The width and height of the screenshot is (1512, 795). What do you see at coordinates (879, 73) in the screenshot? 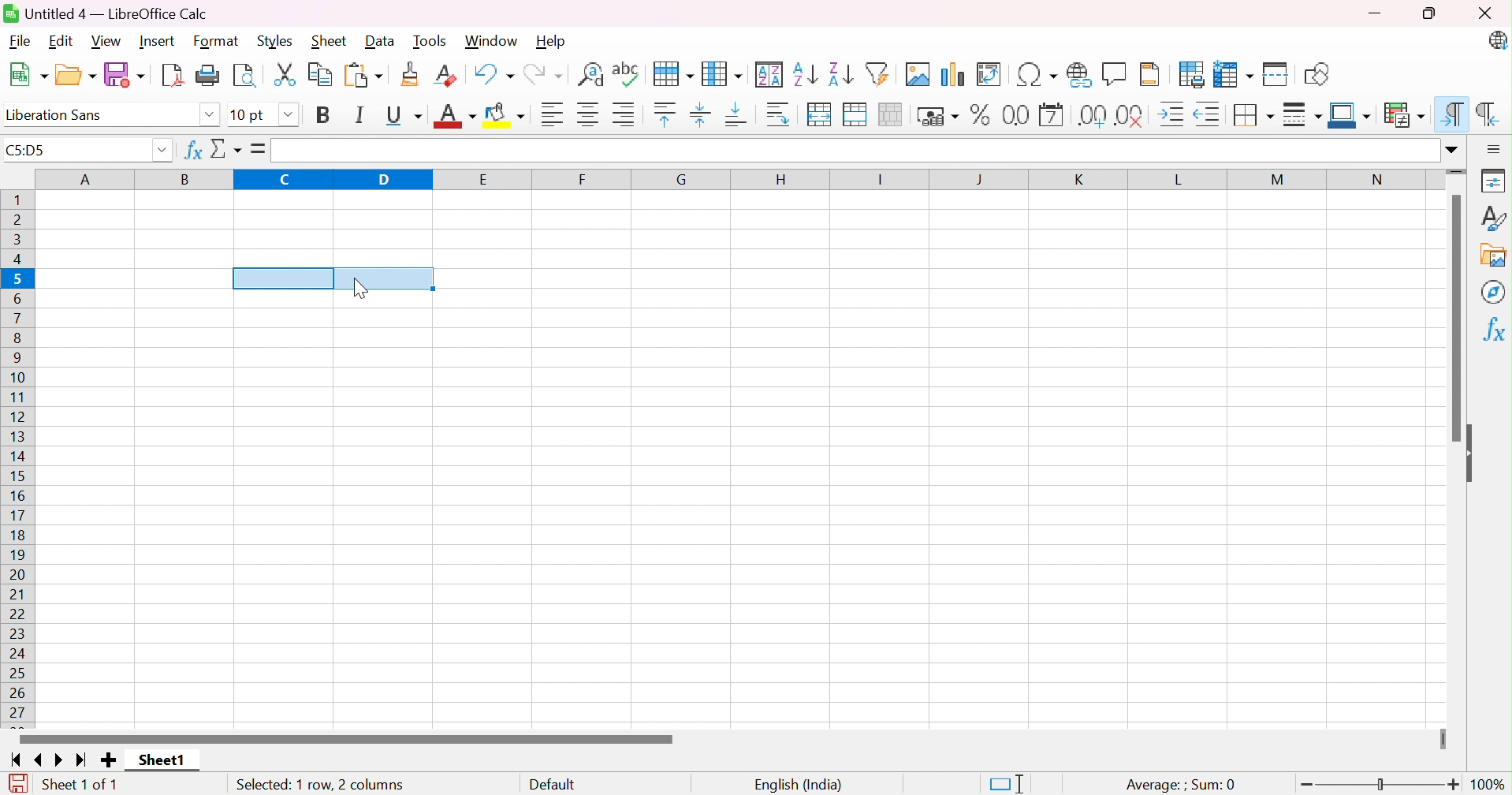
I see `AutoFilter` at bounding box center [879, 73].